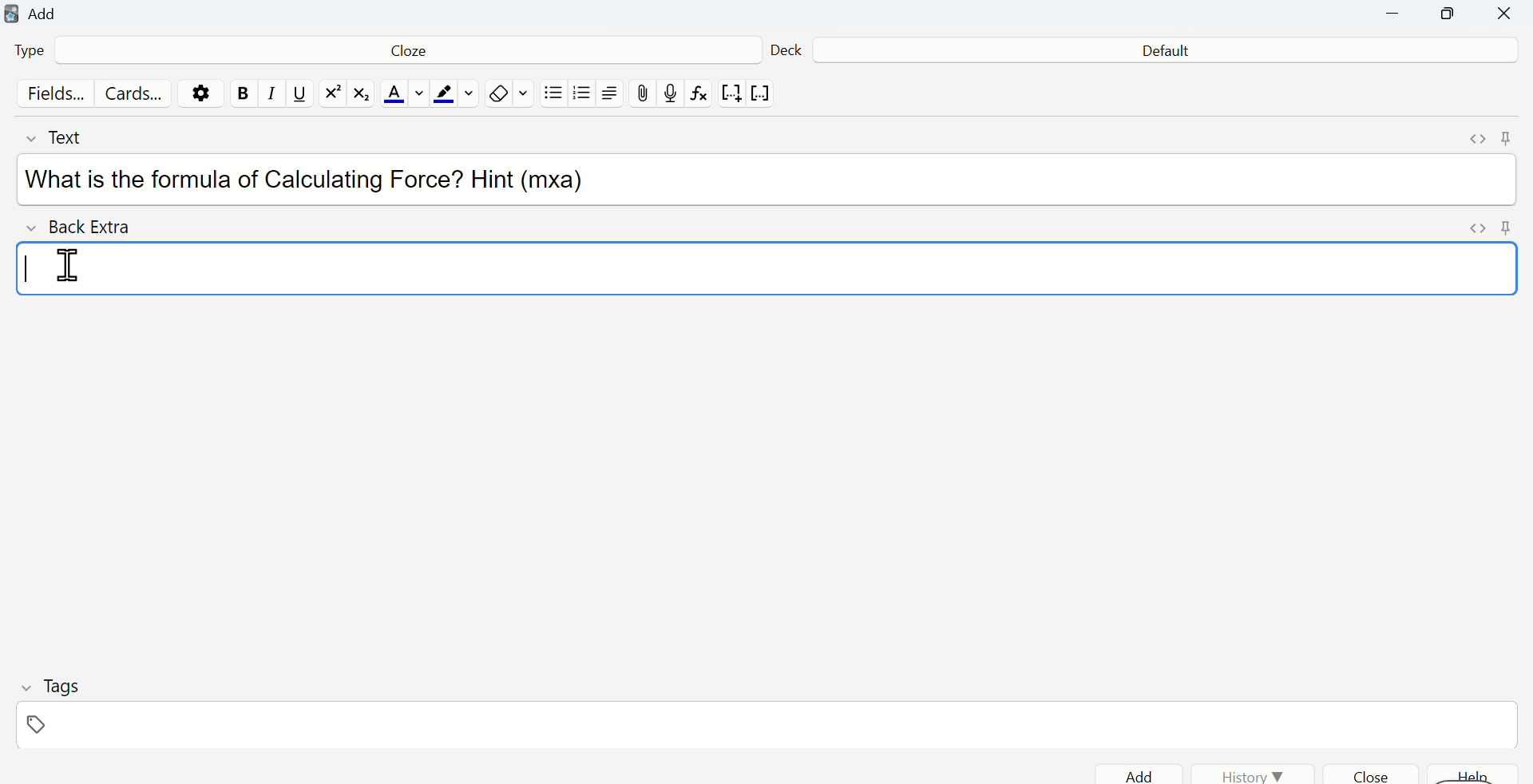 Image resolution: width=1533 pixels, height=784 pixels. Describe the element at coordinates (40, 723) in the screenshot. I see `Tag` at that location.